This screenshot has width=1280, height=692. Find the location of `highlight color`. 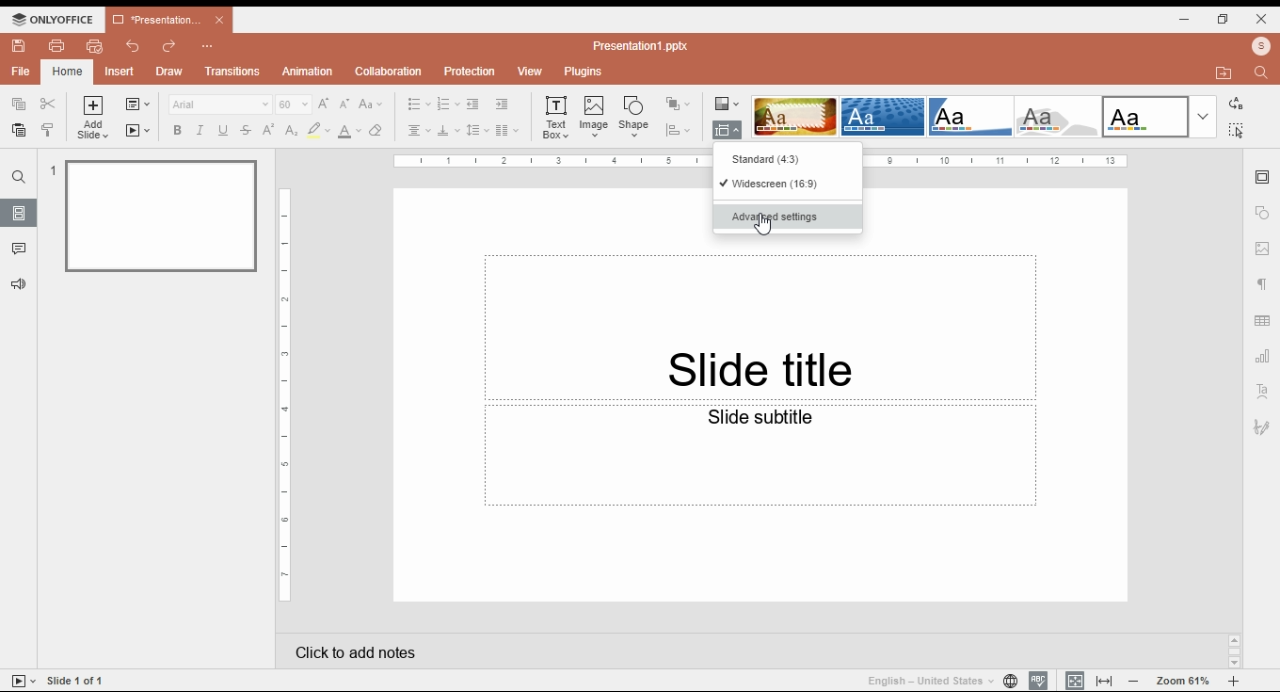

highlight color is located at coordinates (318, 130).